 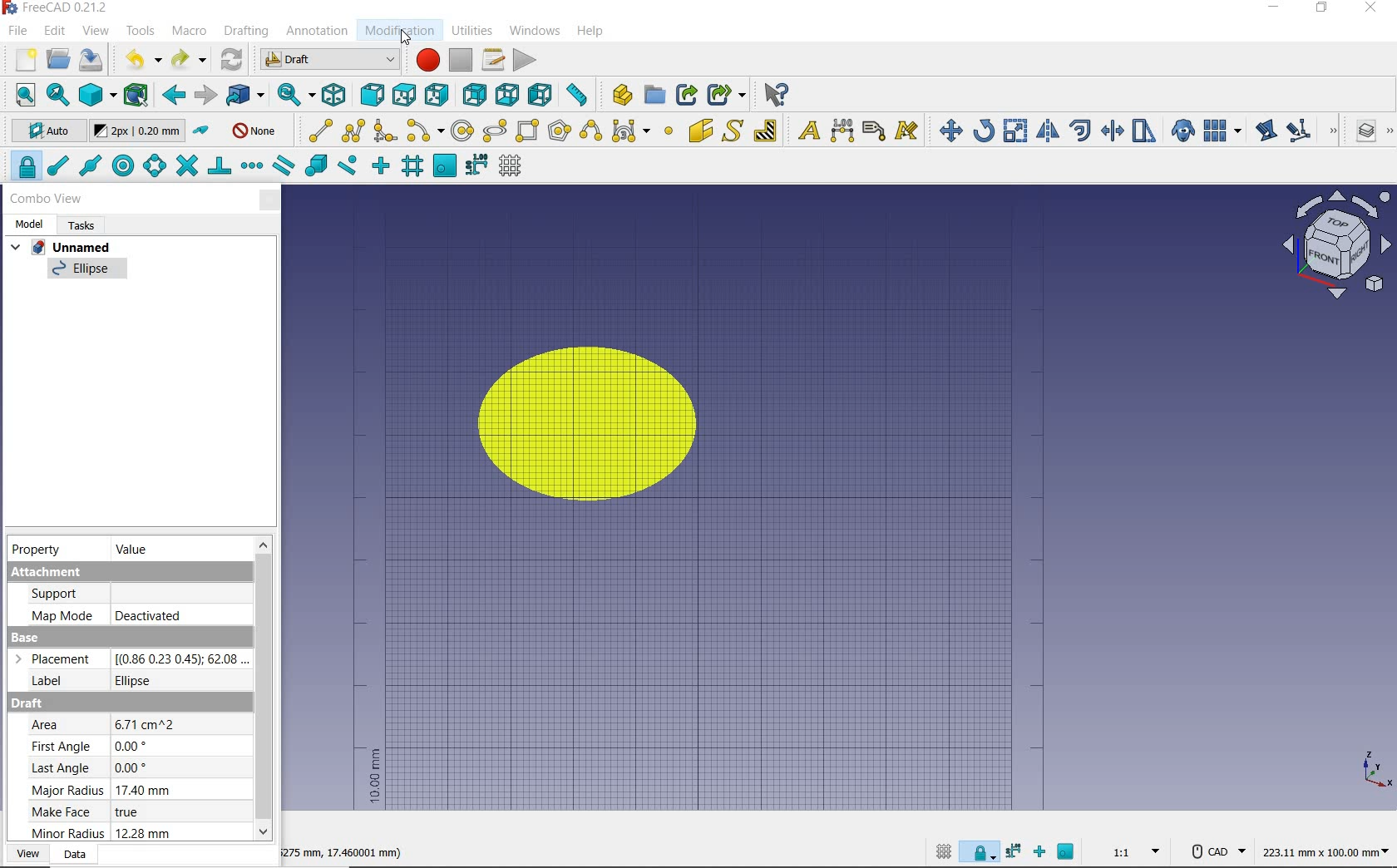 What do you see at coordinates (1310, 131) in the screenshot?
I see `sub element highlight` at bounding box center [1310, 131].